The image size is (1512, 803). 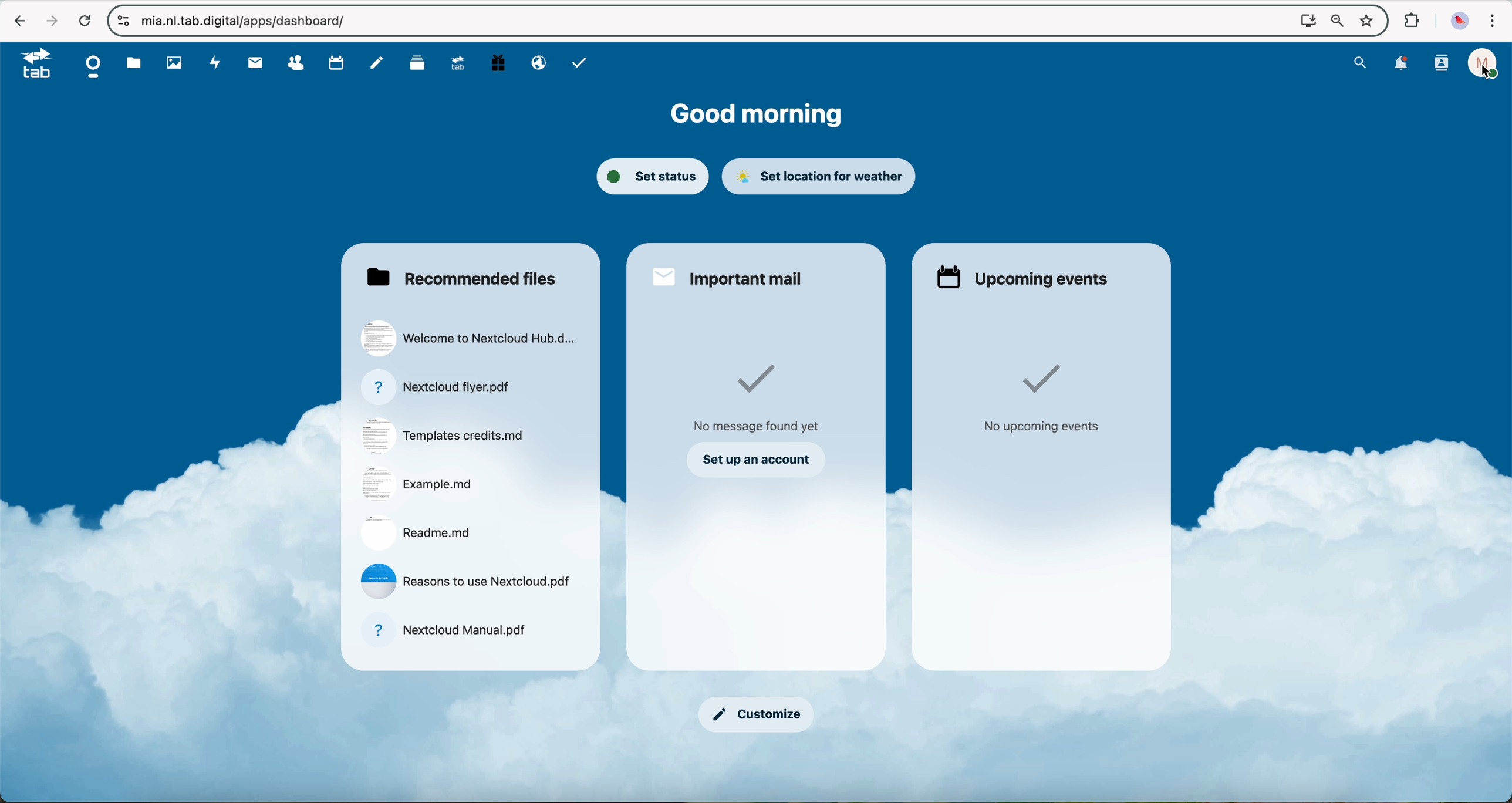 What do you see at coordinates (17, 20) in the screenshot?
I see `navigate back` at bounding box center [17, 20].